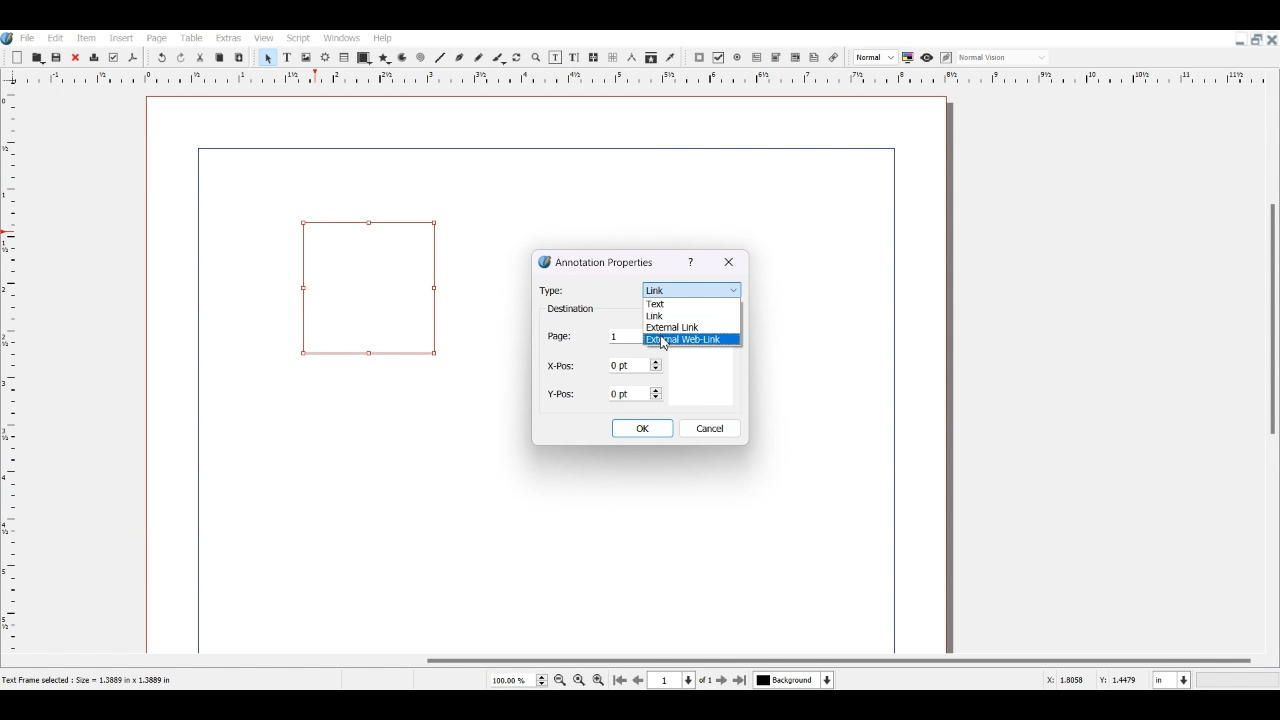 This screenshot has width=1280, height=720. Describe the element at coordinates (343, 37) in the screenshot. I see `Windows` at that location.